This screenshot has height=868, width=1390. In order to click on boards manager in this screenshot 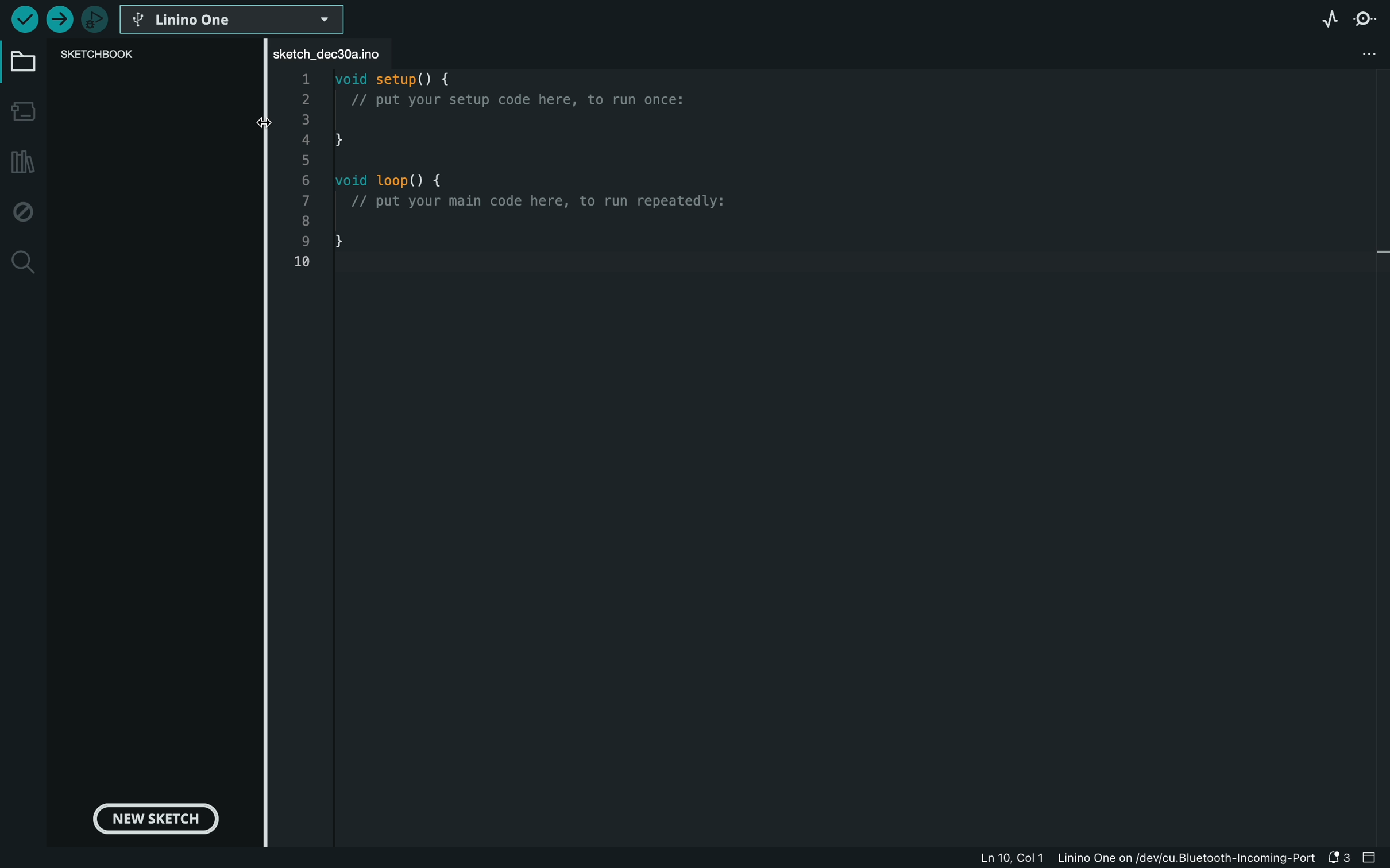, I will do `click(21, 113)`.